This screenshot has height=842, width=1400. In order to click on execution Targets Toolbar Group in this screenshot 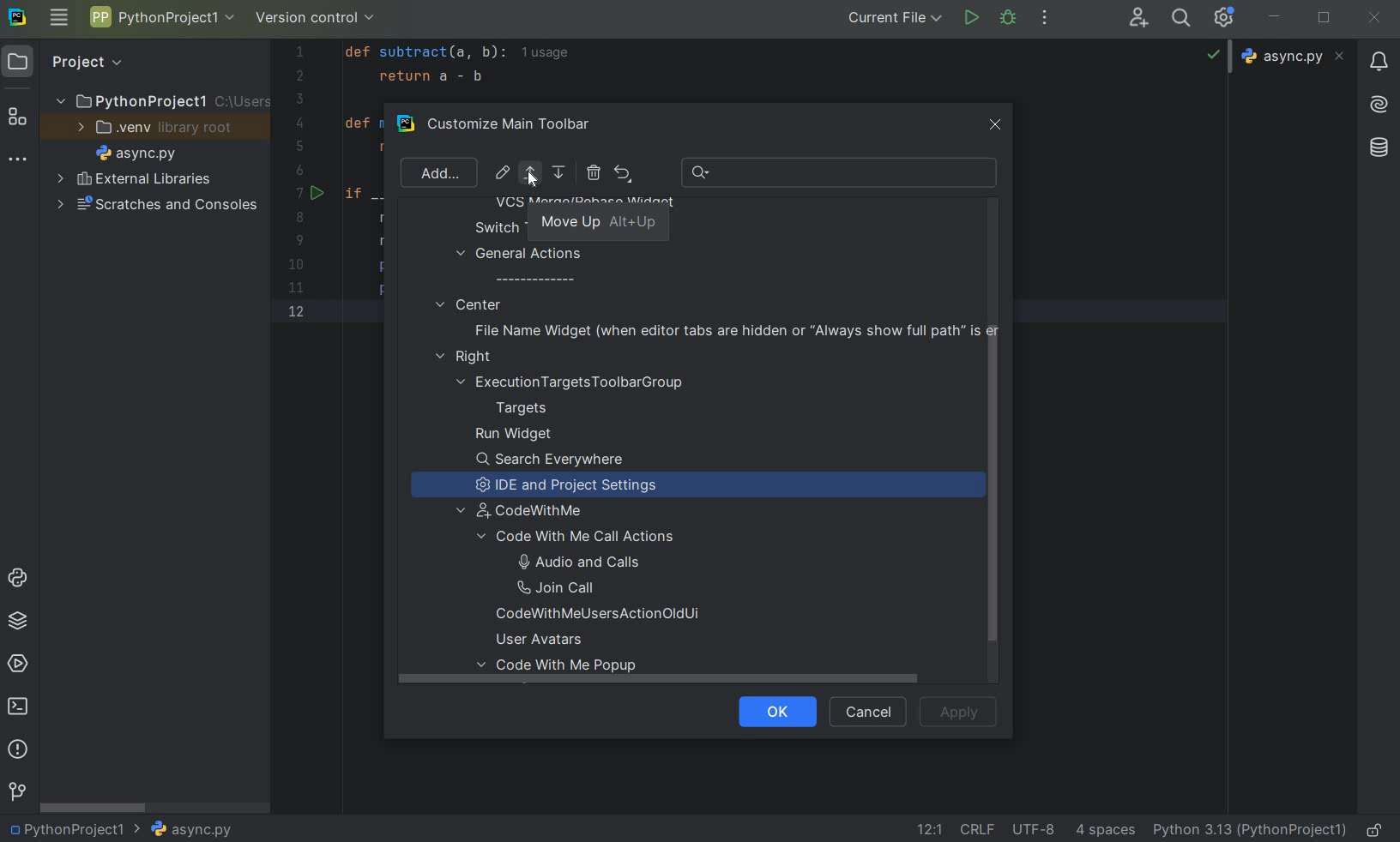, I will do `click(573, 382)`.